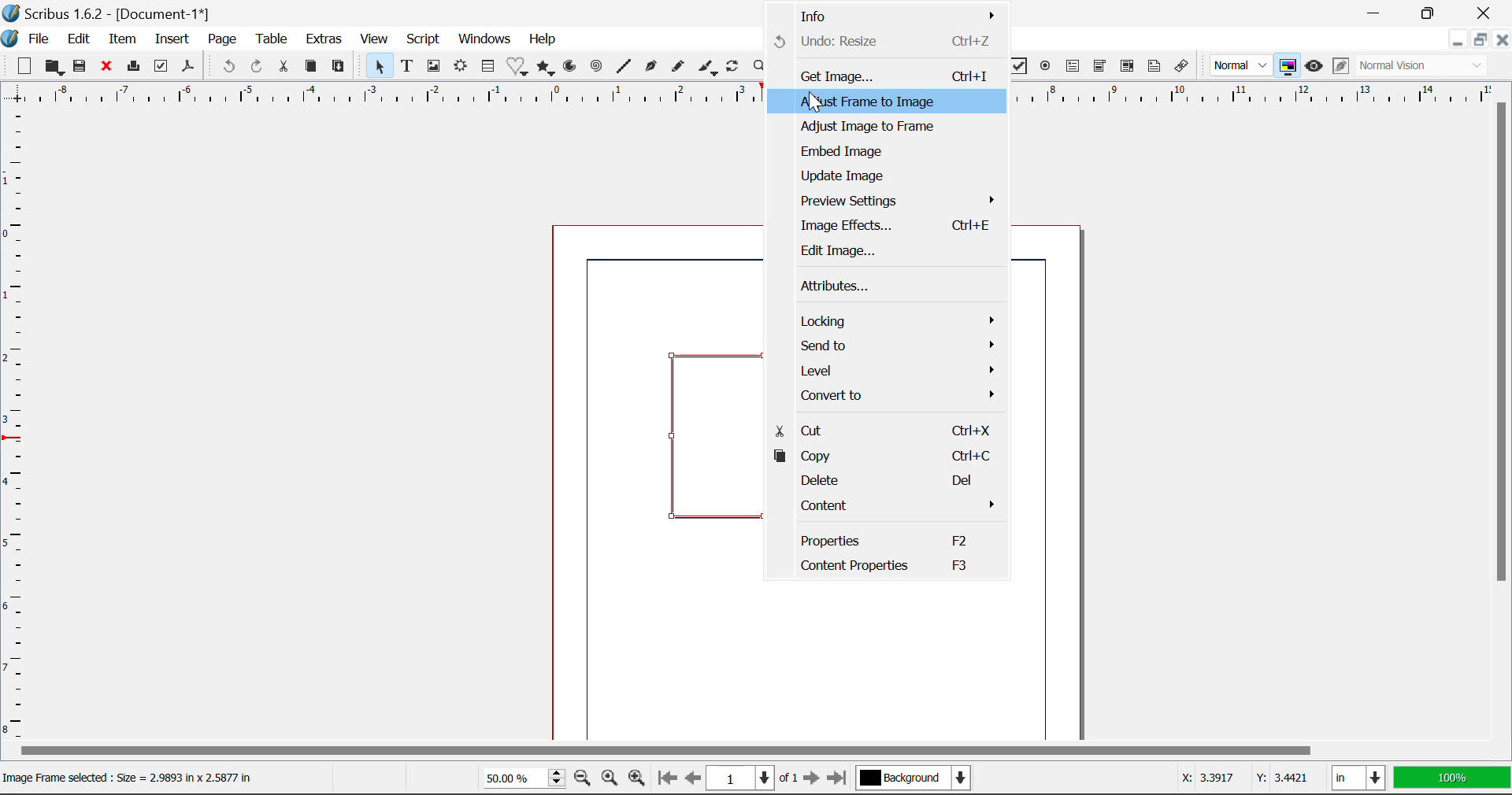  What do you see at coordinates (649, 67) in the screenshot?
I see `Bezier Curve` at bounding box center [649, 67].